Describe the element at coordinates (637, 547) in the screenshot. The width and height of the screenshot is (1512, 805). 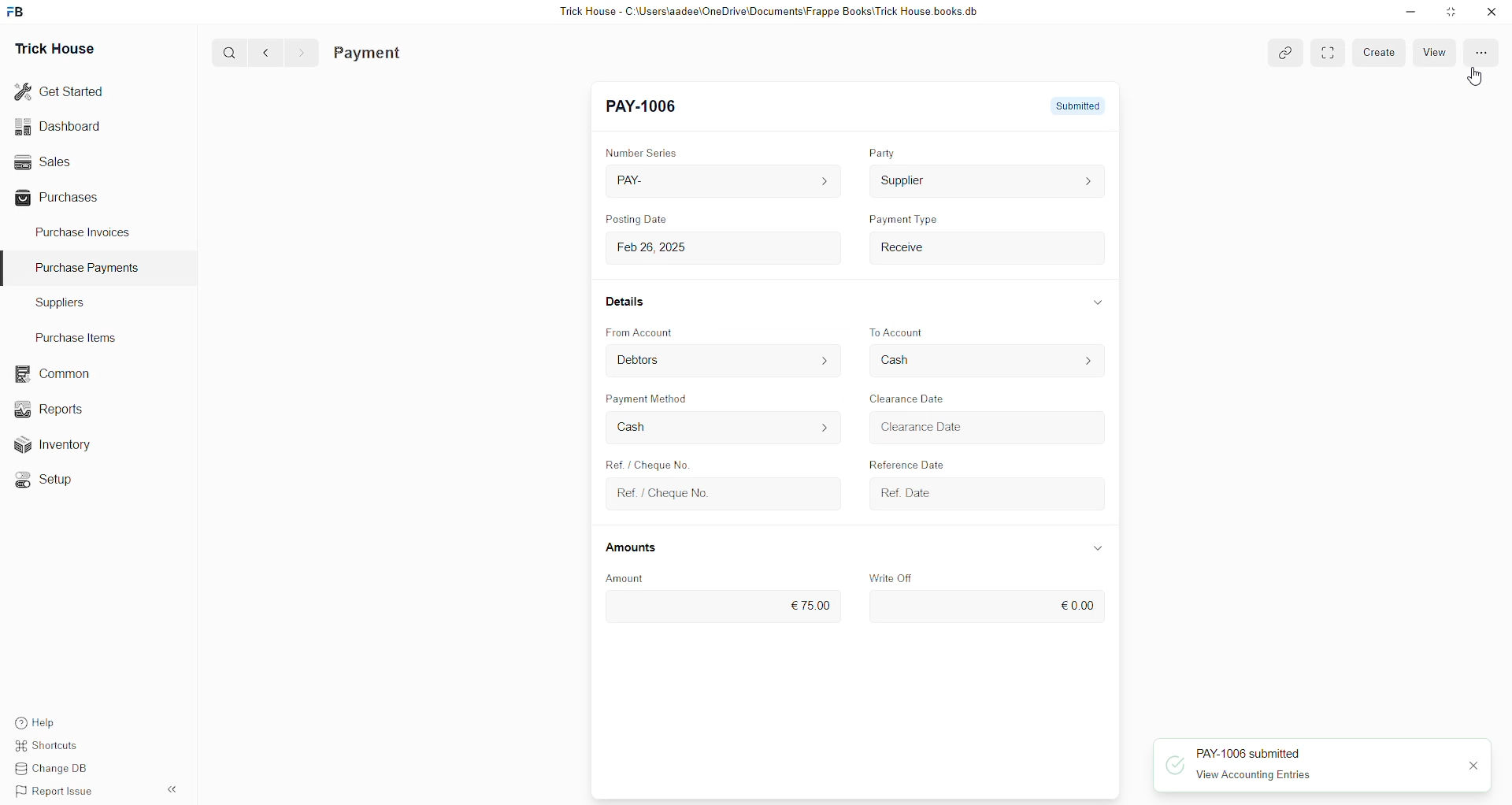
I see `Amounts` at that location.